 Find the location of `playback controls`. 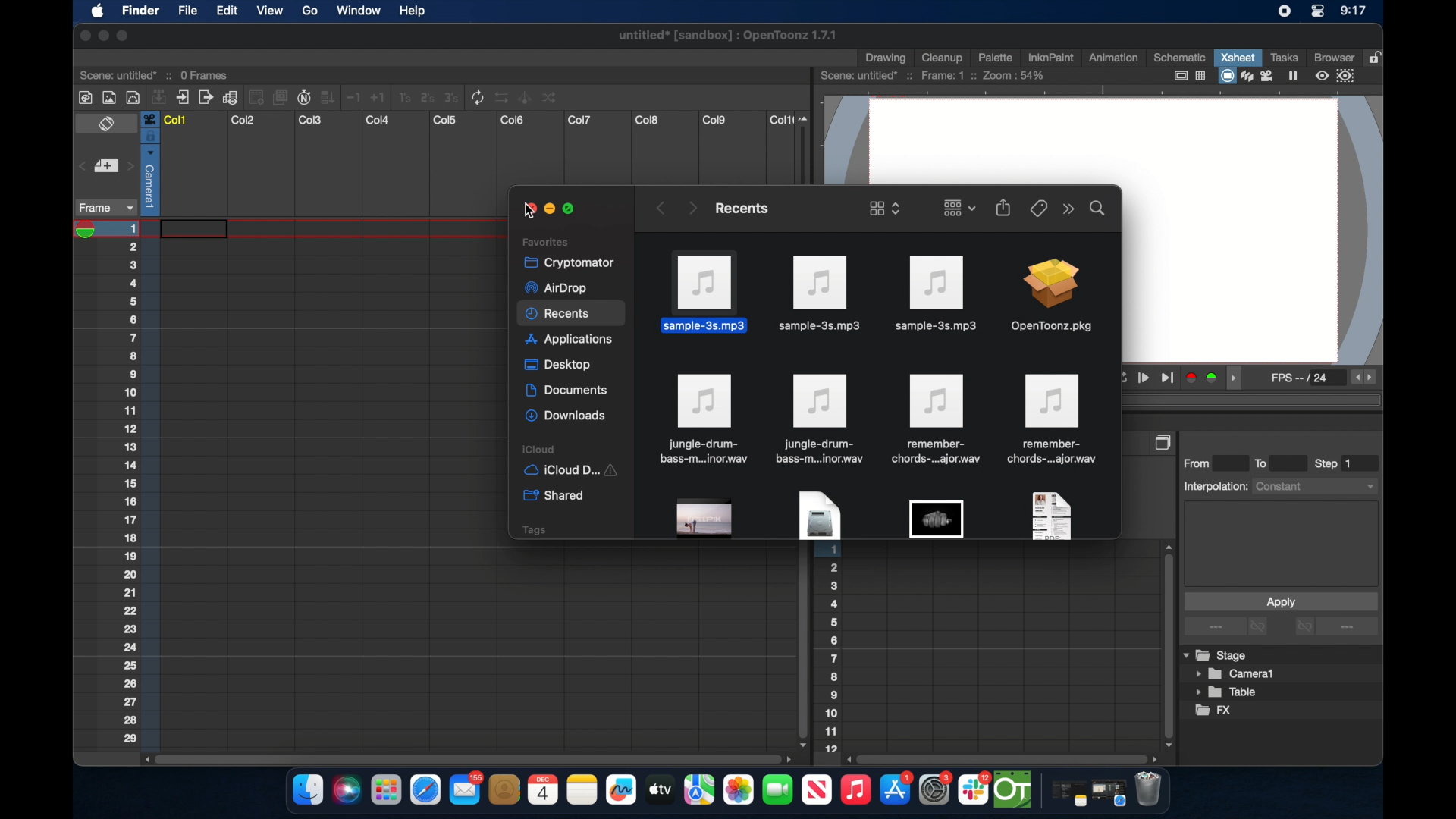

playback controls is located at coordinates (1148, 378).